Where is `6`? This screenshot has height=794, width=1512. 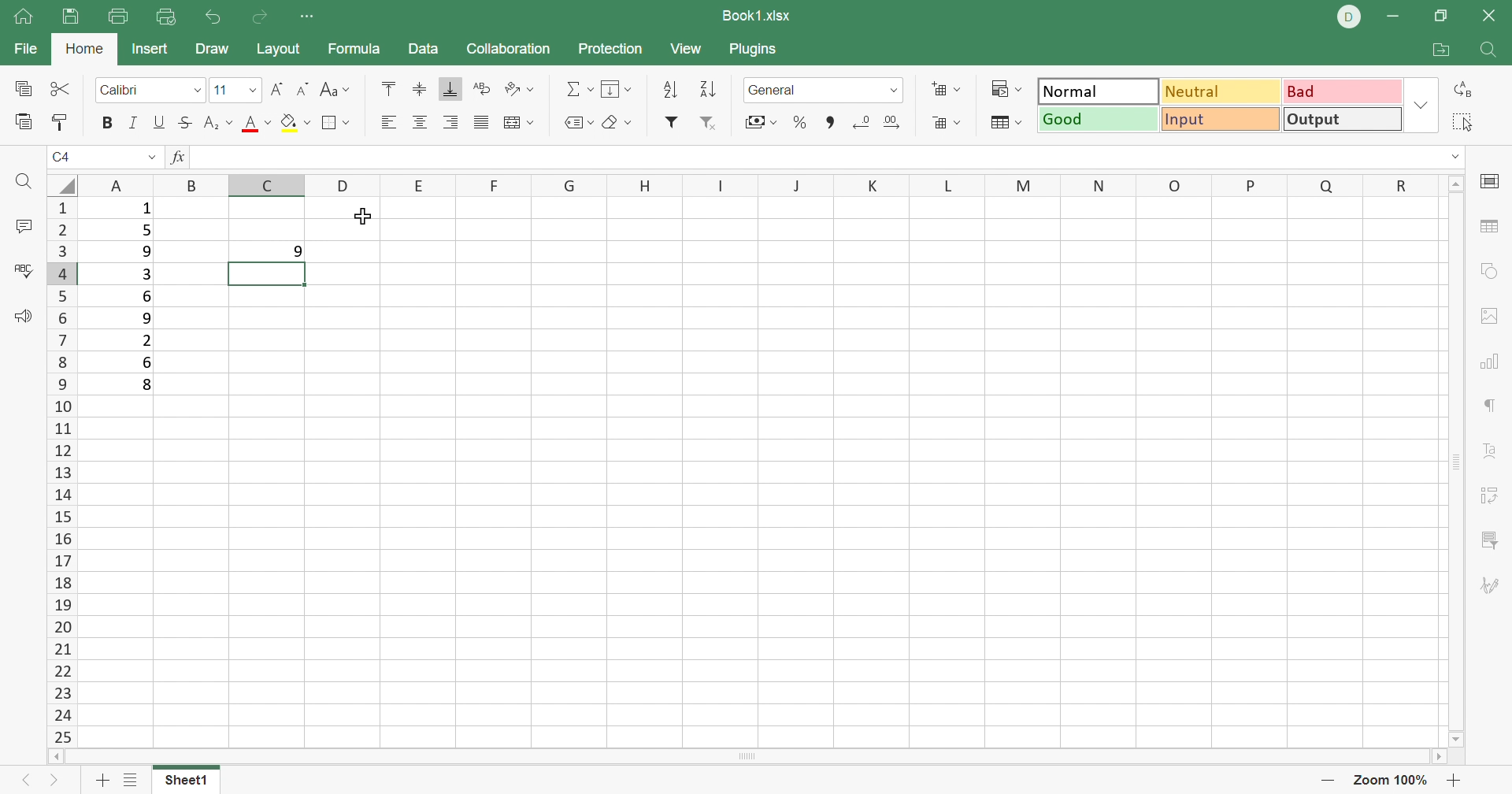
6 is located at coordinates (149, 362).